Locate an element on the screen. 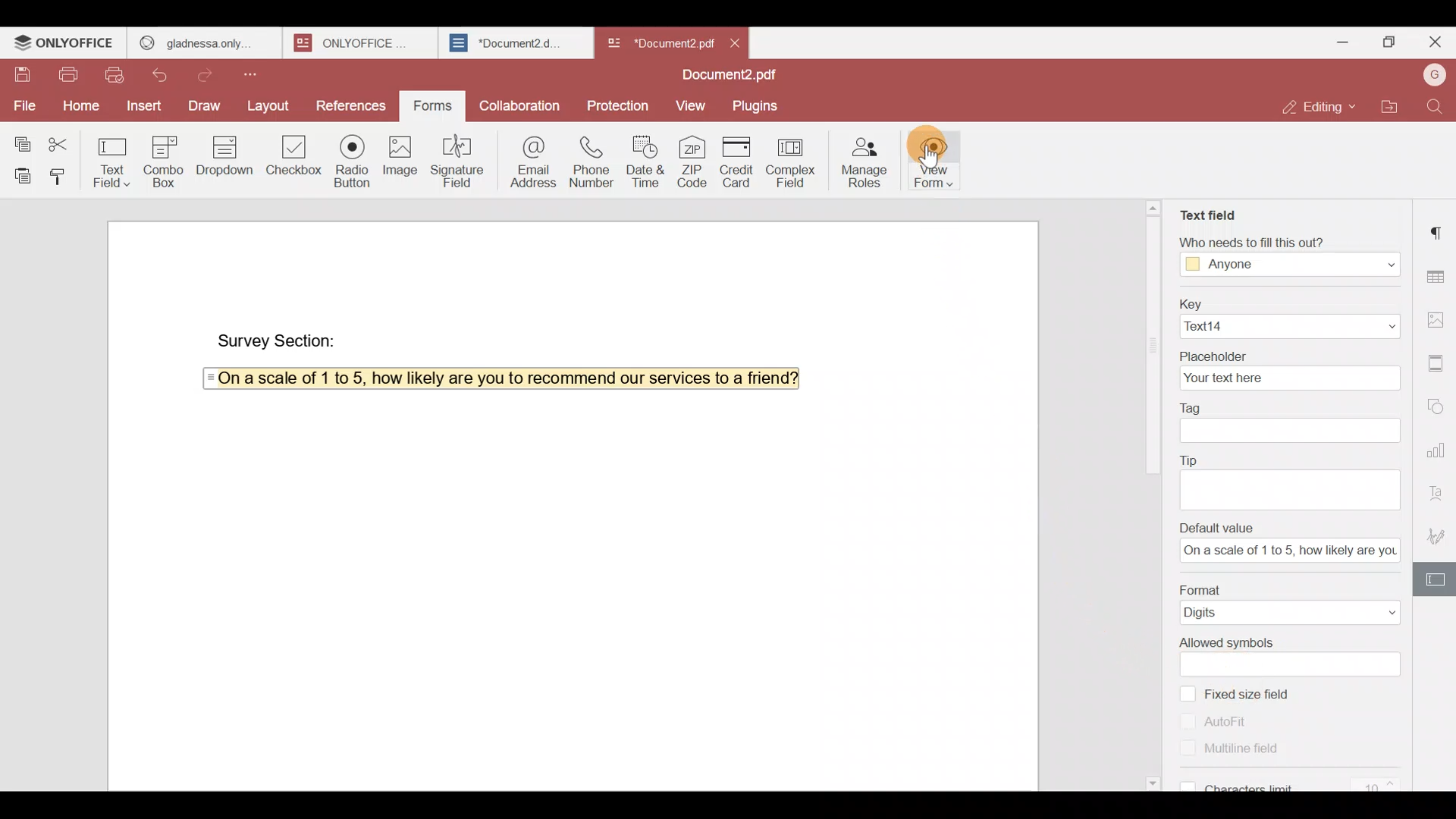 This screenshot has width=1456, height=819. Phone number is located at coordinates (593, 161).